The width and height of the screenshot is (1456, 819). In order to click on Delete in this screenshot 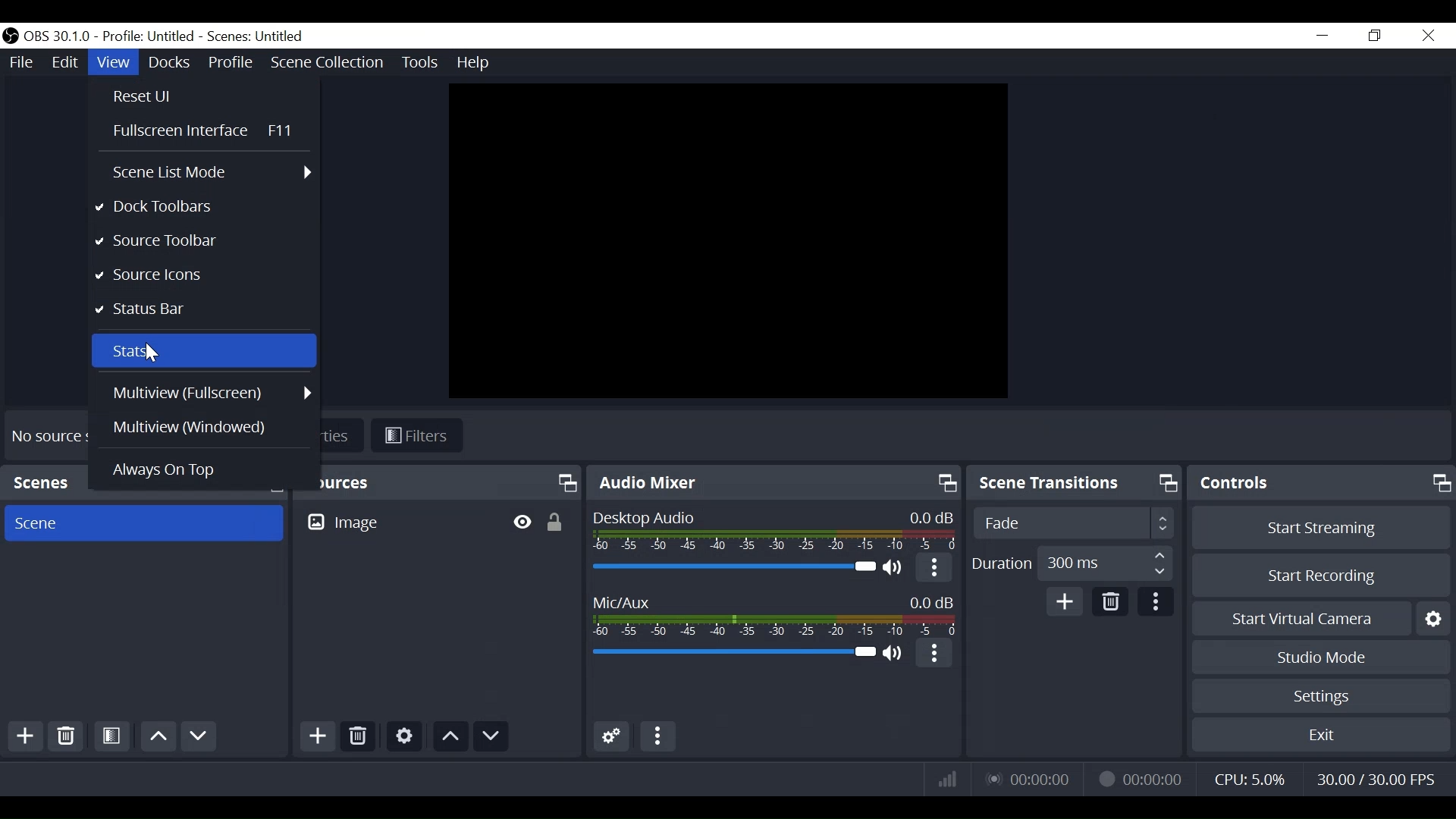, I will do `click(357, 735)`.